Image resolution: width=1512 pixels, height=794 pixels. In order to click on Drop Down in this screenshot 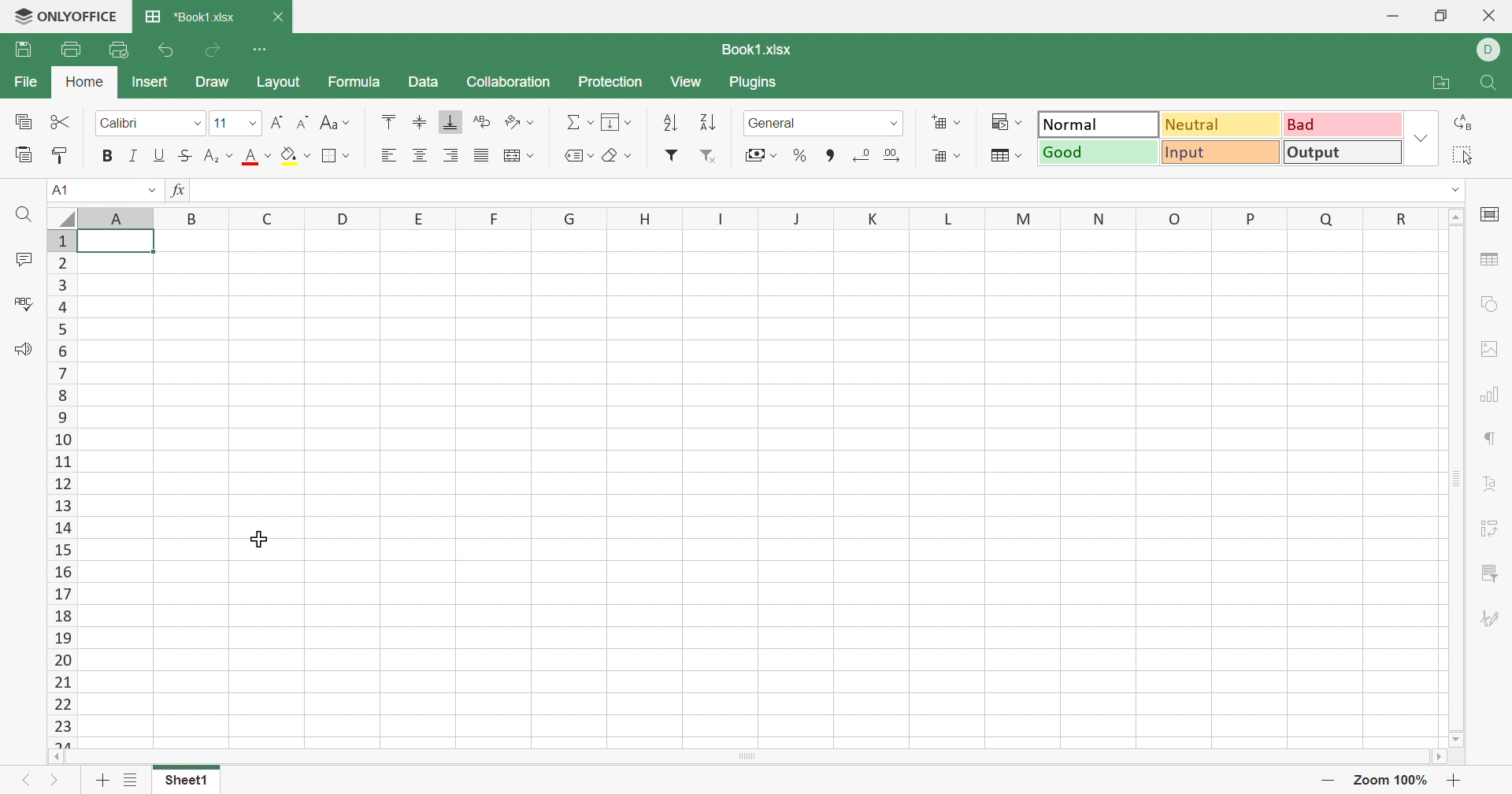, I will do `click(201, 123)`.